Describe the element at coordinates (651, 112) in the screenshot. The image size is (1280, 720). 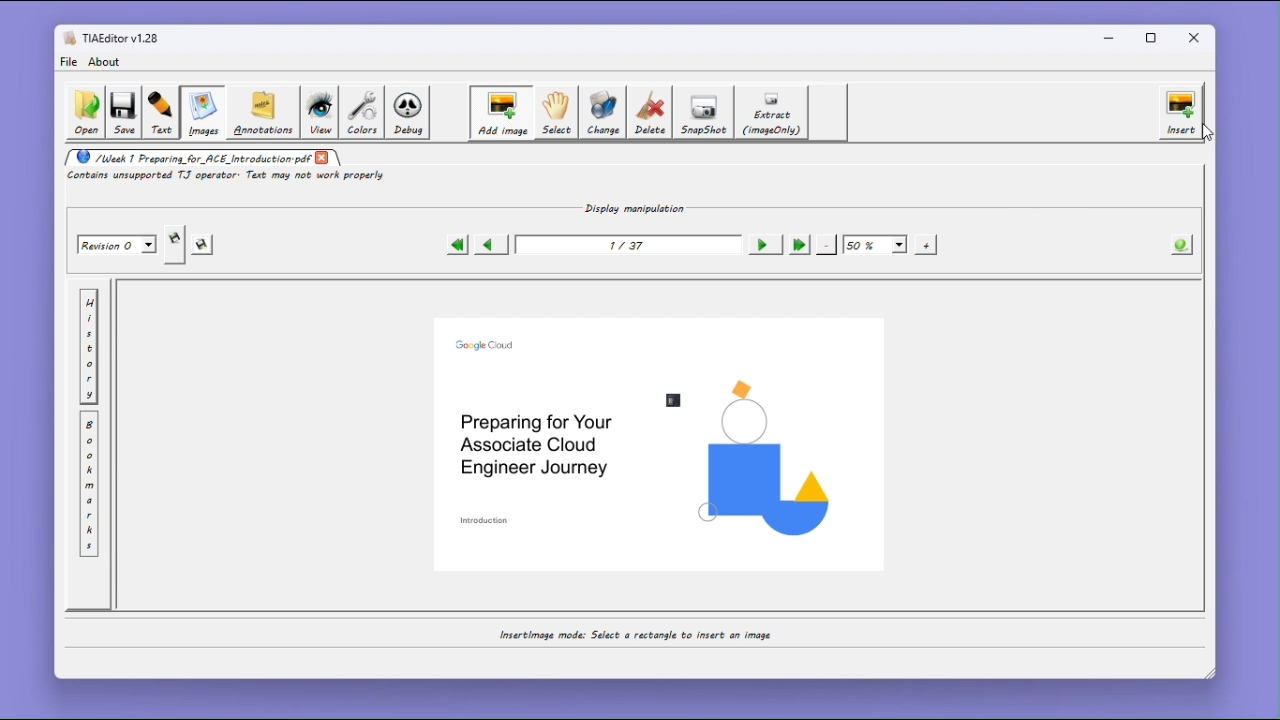
I see `Delete ` at that location.